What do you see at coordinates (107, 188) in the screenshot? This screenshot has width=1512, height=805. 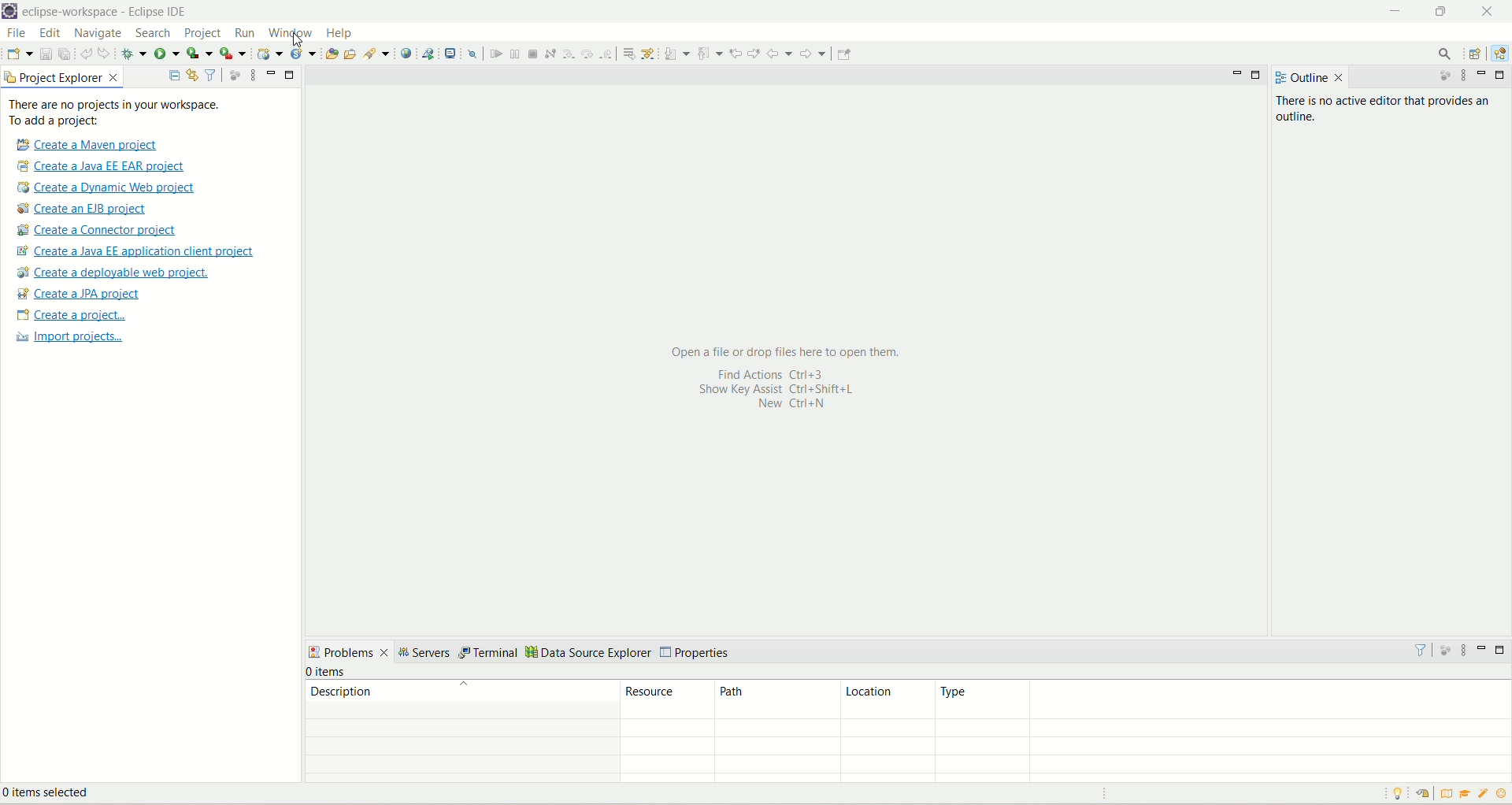 I see `create a Dynamic web project` at bounding box center [107, 188].